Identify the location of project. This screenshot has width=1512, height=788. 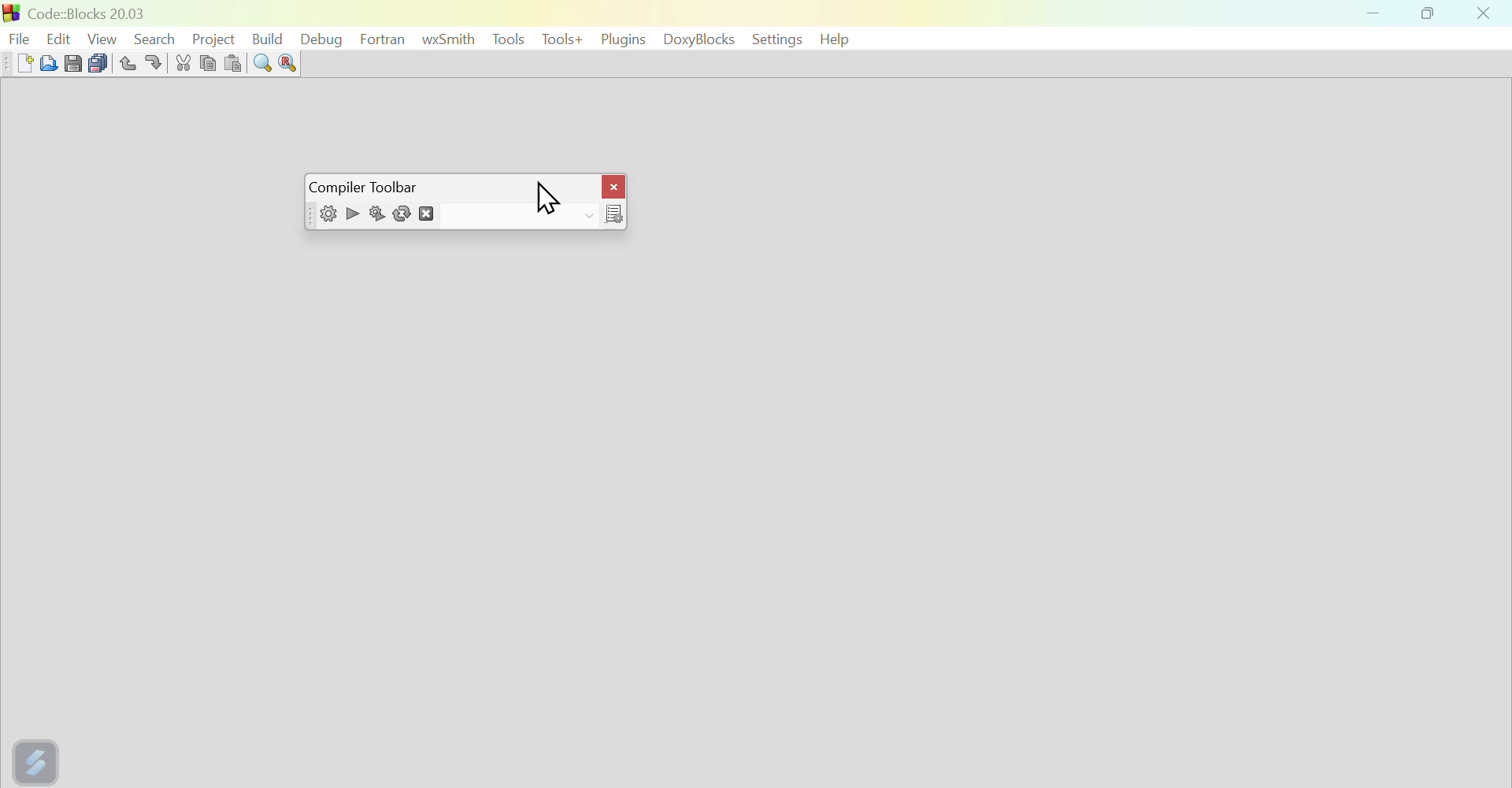
(213, 36).